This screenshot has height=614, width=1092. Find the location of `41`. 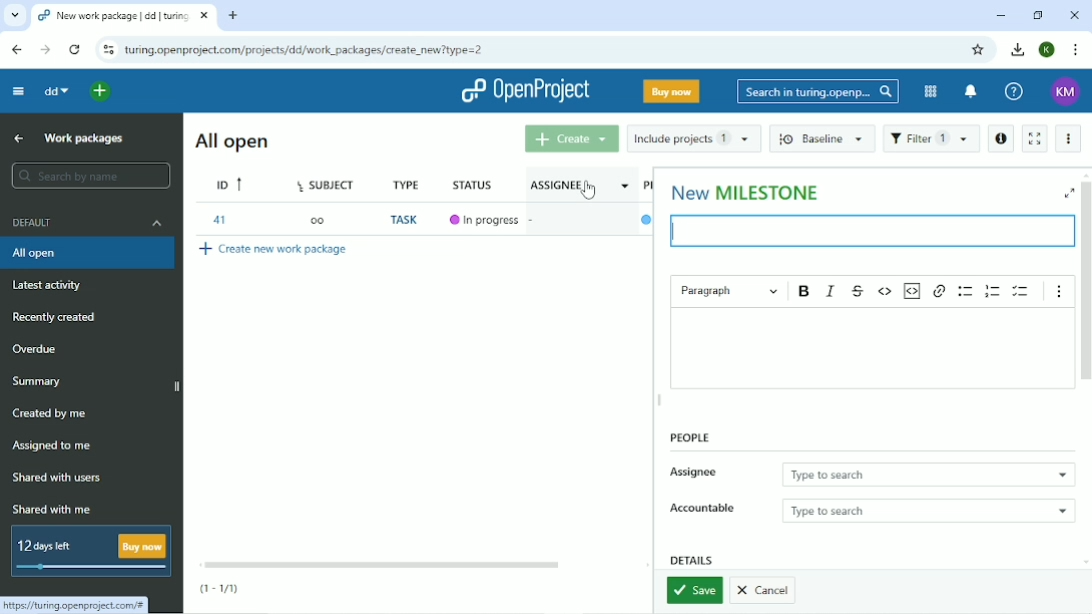

41 is located at coordinates (219, 219).